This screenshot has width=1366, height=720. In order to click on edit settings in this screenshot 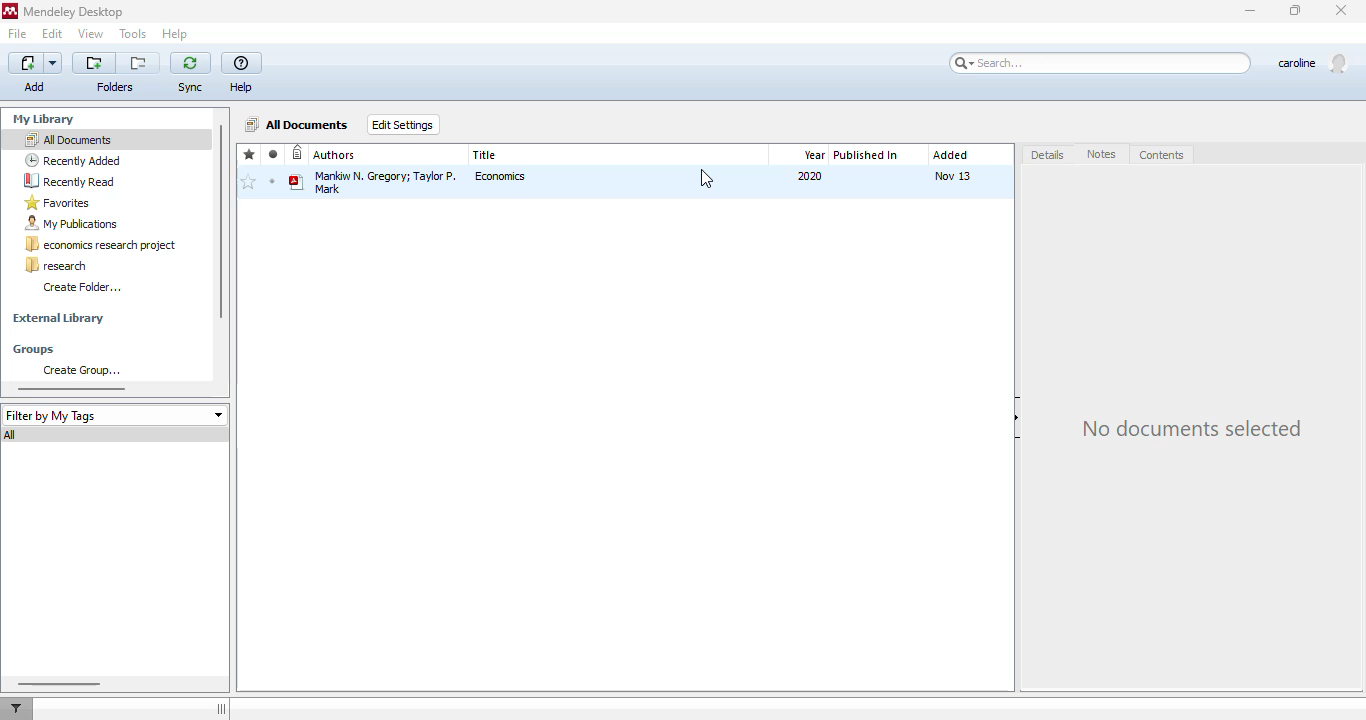, I will do `click(404, 124)`.